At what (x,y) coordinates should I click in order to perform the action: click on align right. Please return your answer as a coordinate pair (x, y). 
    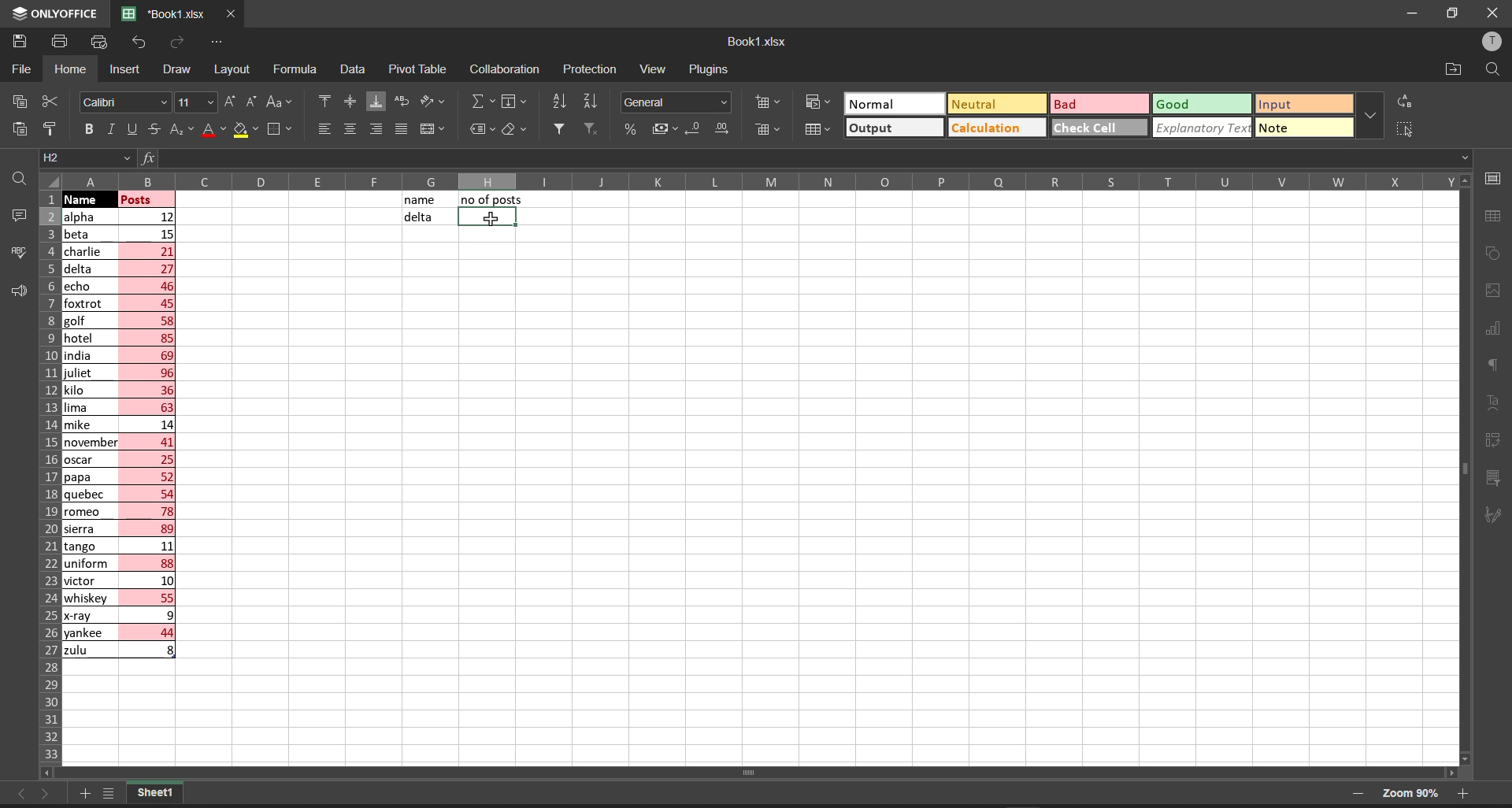
    Looking at the image, I should click on (372, 128).